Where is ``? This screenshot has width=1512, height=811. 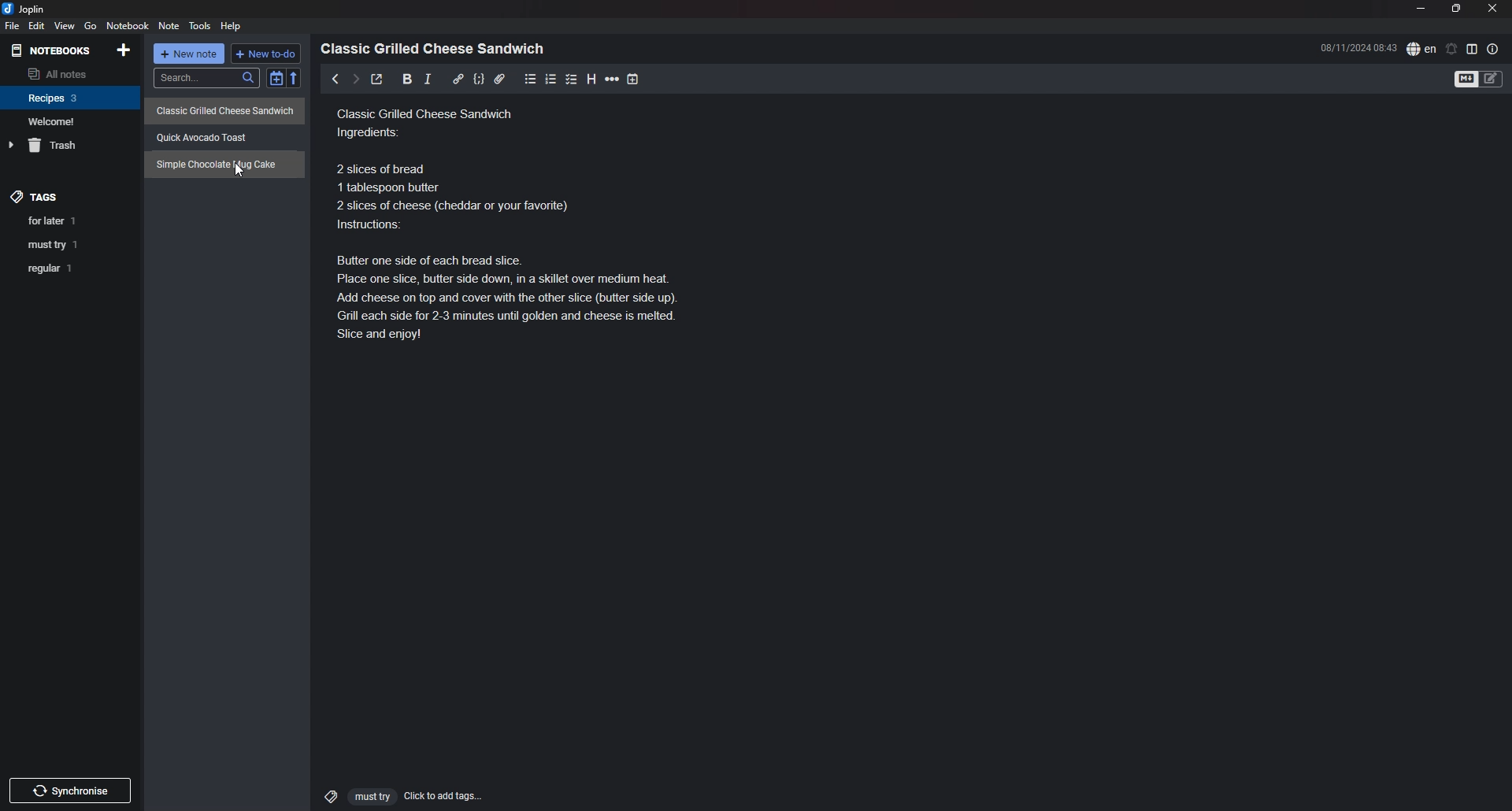  is located at coordinates (70, 787).